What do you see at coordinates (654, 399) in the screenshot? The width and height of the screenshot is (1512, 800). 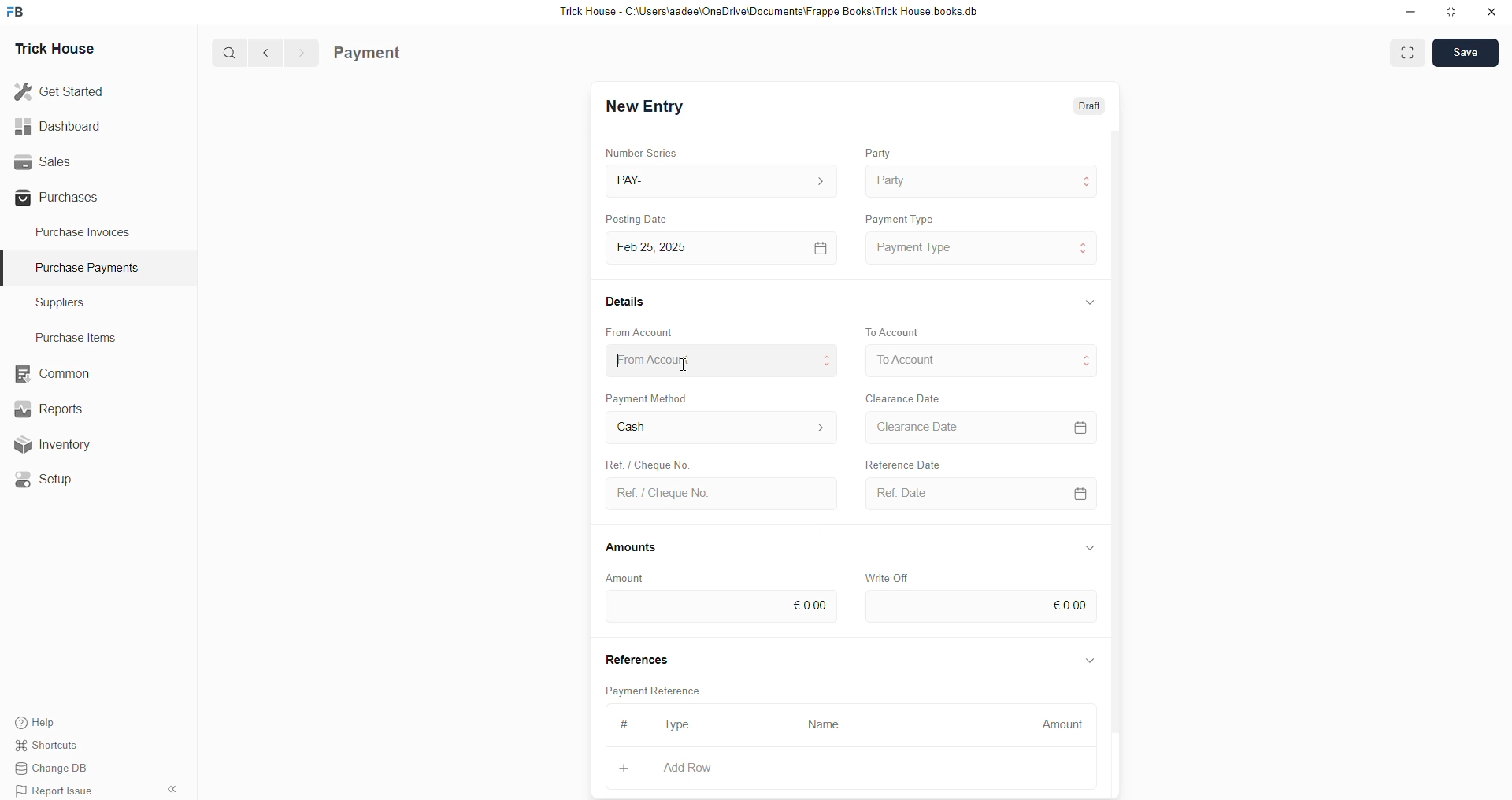 I see `Payment Method` at bounding box center [654, 399].